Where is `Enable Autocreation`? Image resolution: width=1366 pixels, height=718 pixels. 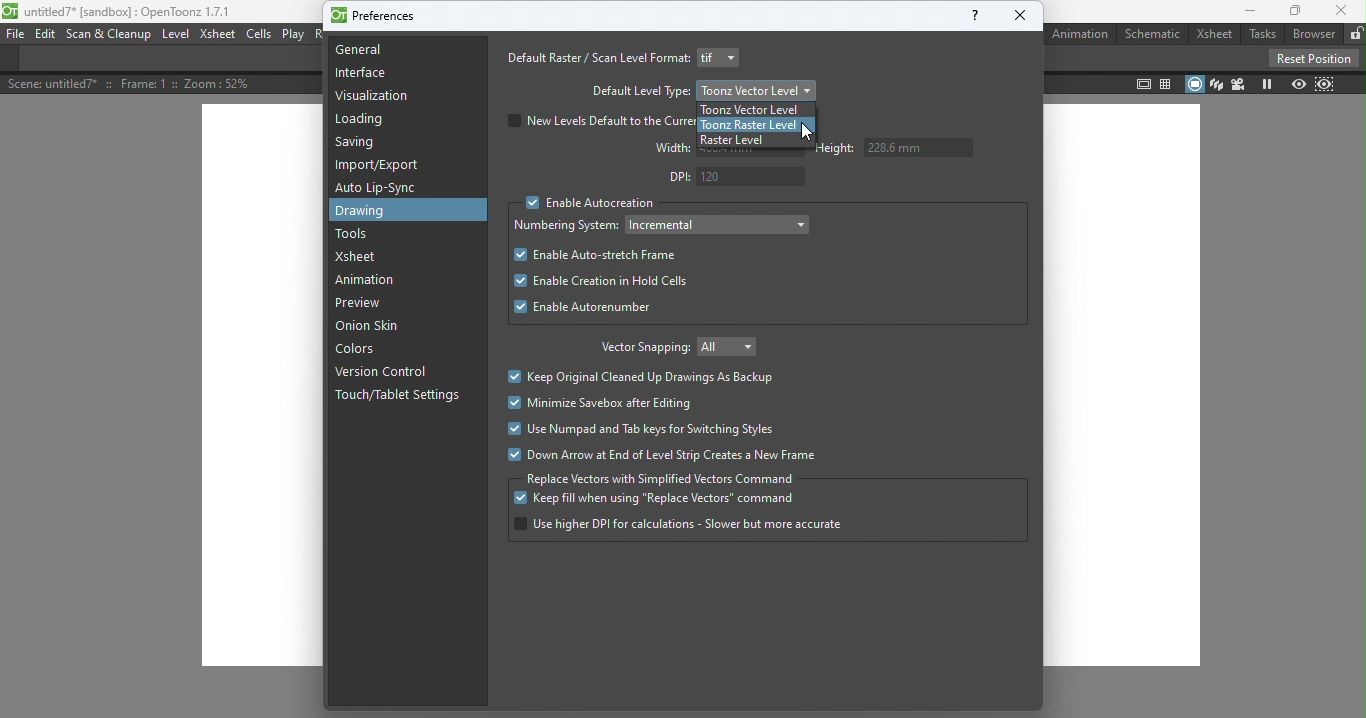
Enable Autocreation is located at coordinates (590, 204).